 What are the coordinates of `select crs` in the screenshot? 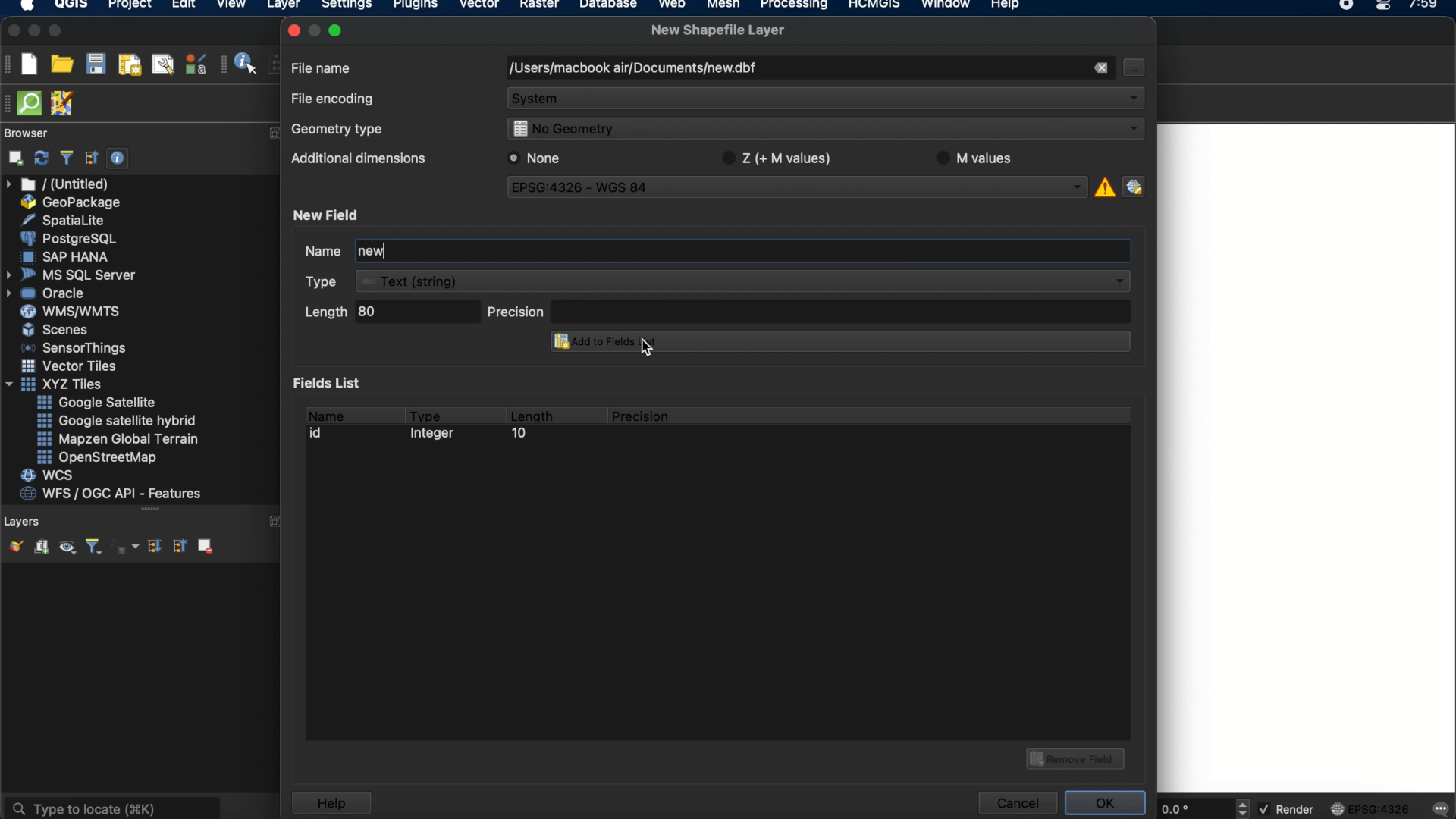 It's located at (1134, 186).